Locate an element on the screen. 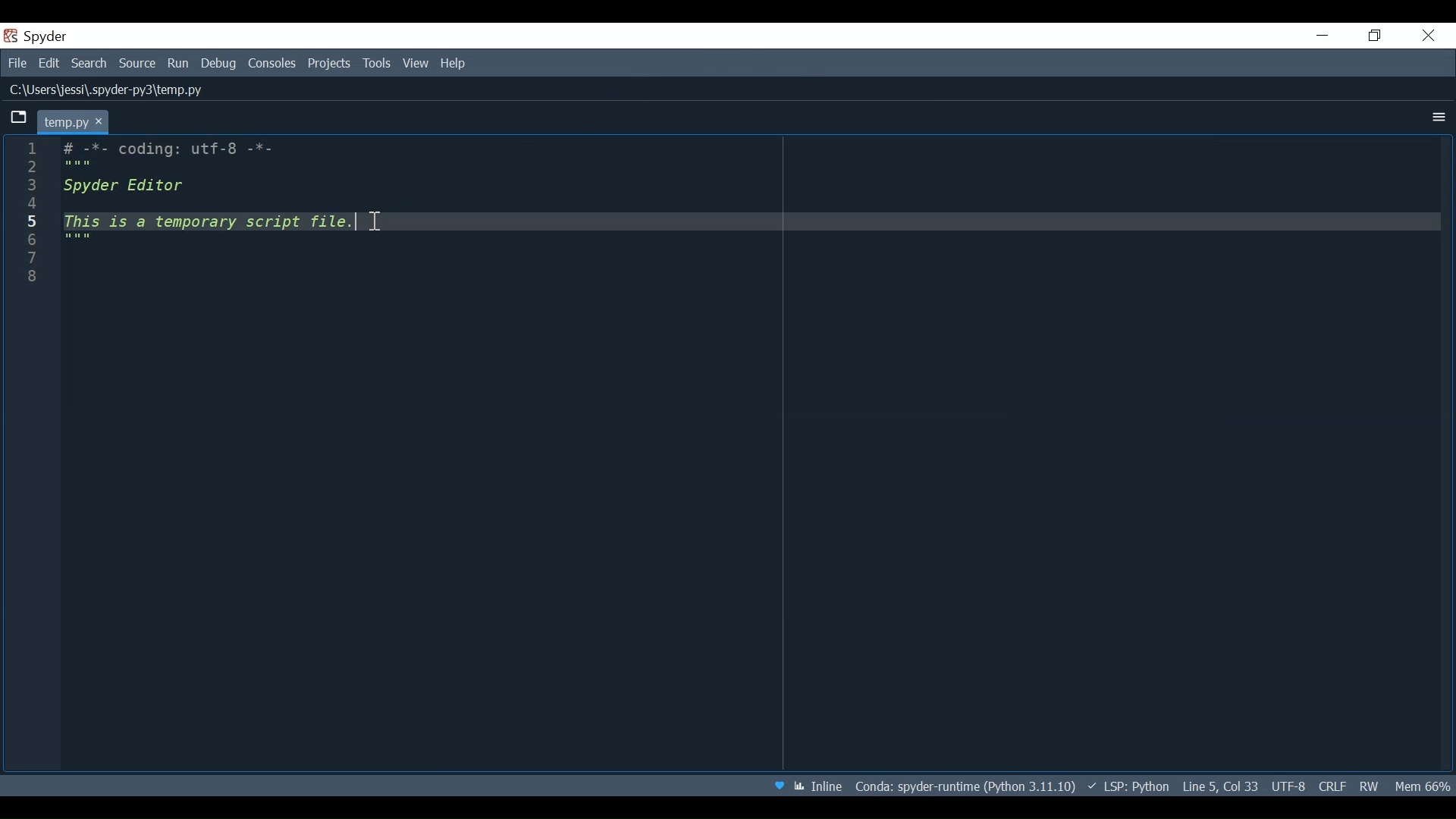  Toggle between inline and interactive Matplotlib plotting is located at coordinates (818, 786).